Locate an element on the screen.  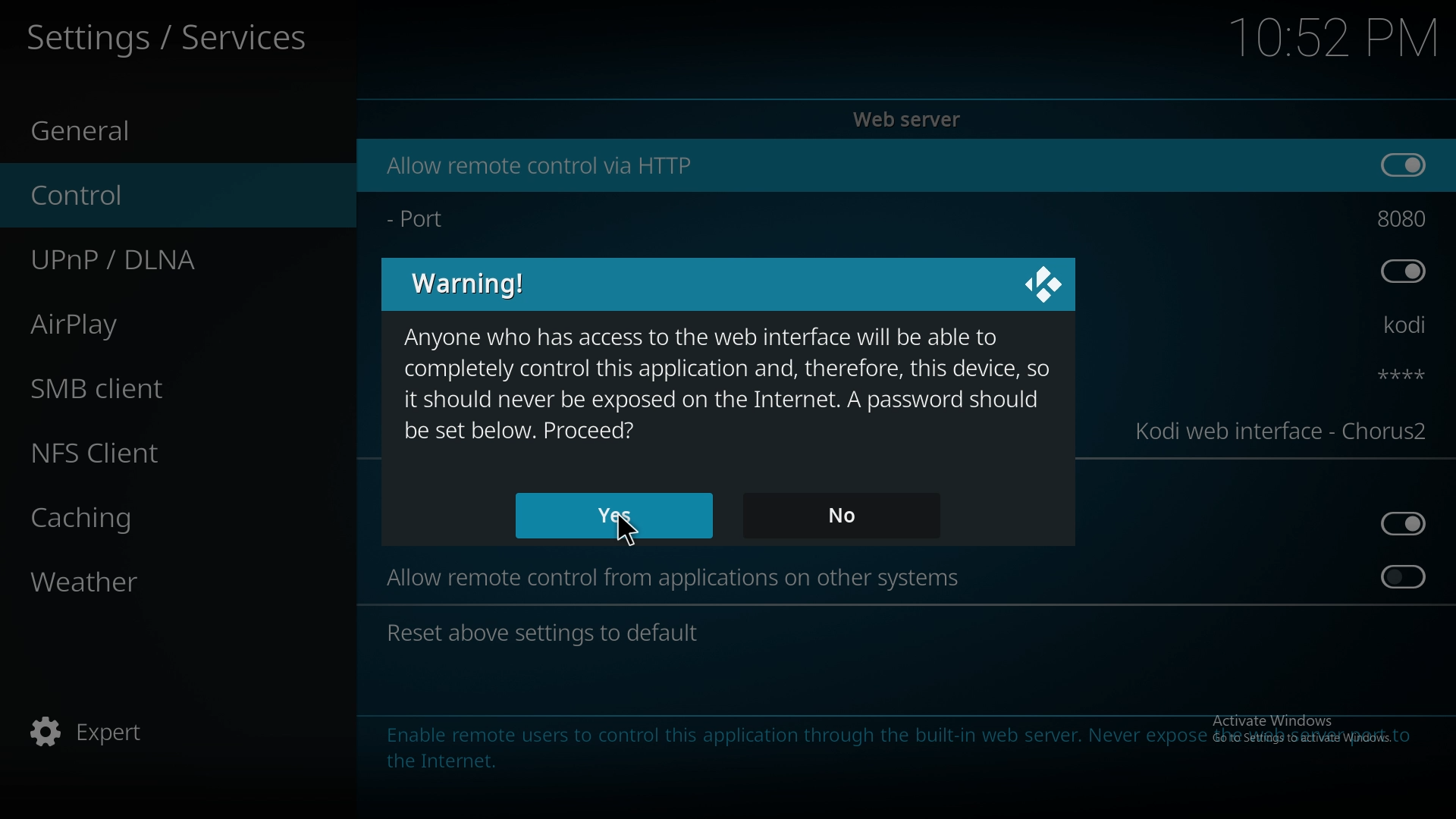
toggle is located at coordinates (1403, 271).